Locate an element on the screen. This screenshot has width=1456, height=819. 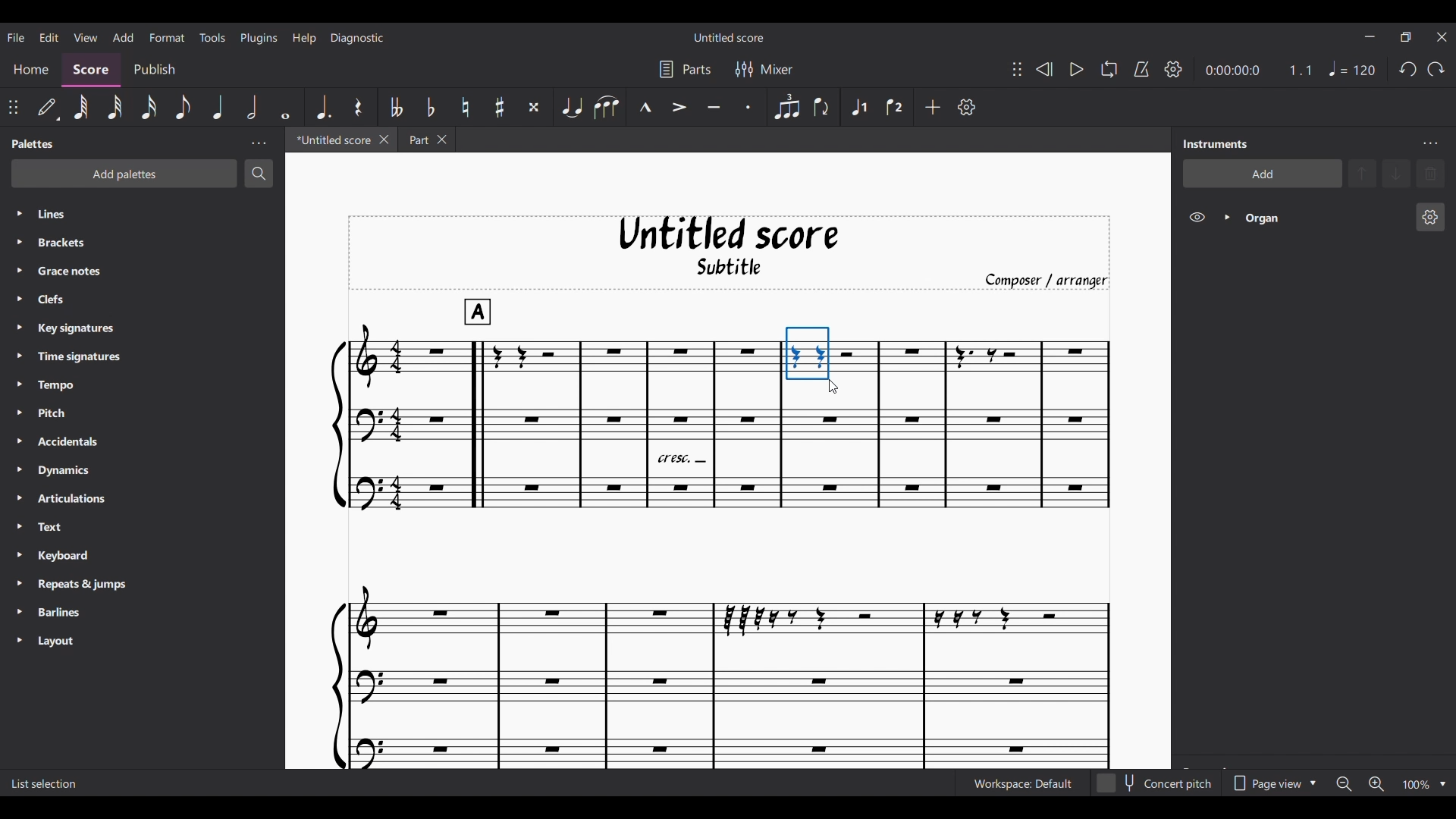
Panel title is located at coordinates (34, 143).